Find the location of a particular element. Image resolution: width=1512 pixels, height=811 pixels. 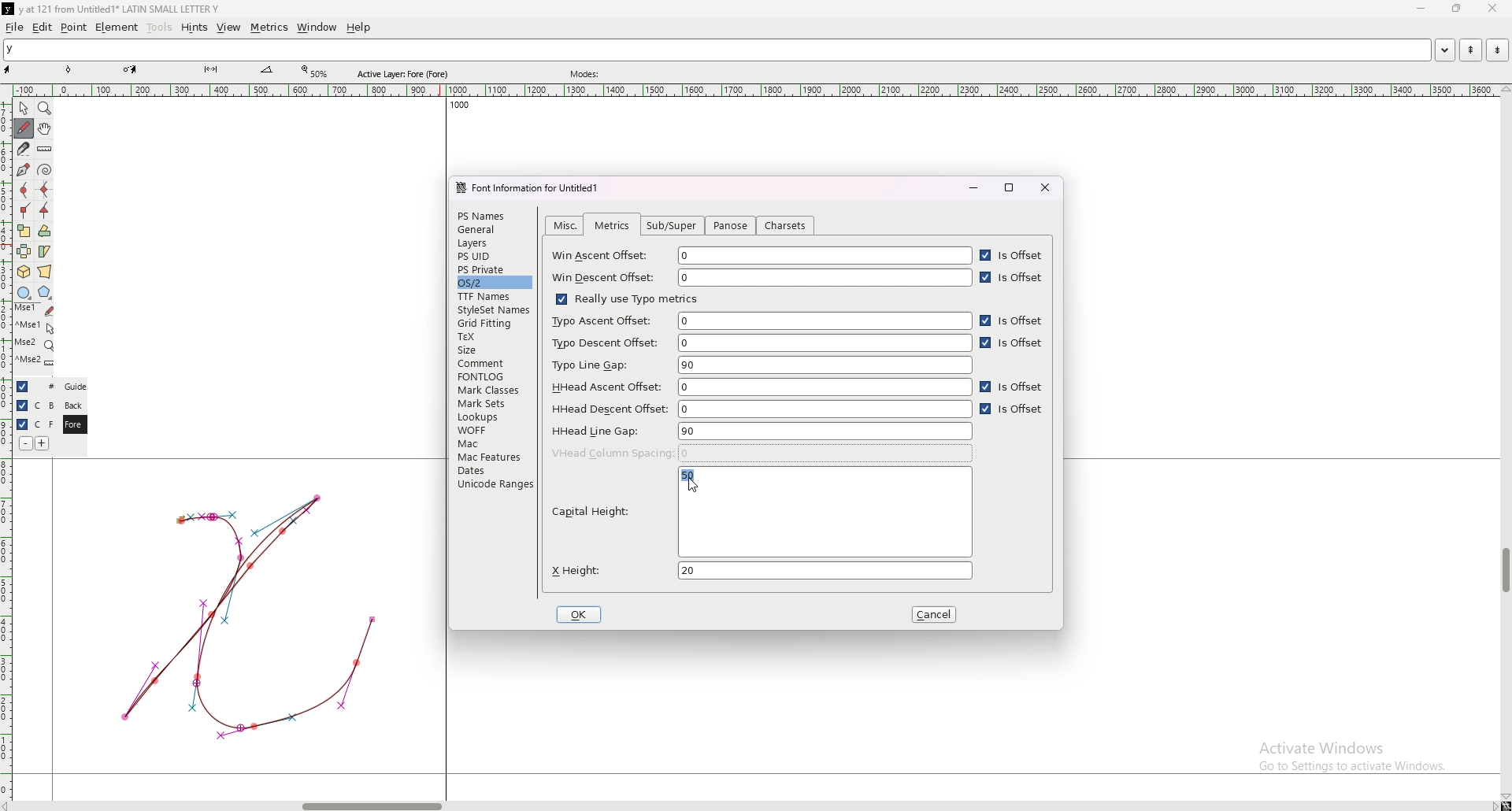

change whether spiro is active or not is located at coordinates (45, 169).